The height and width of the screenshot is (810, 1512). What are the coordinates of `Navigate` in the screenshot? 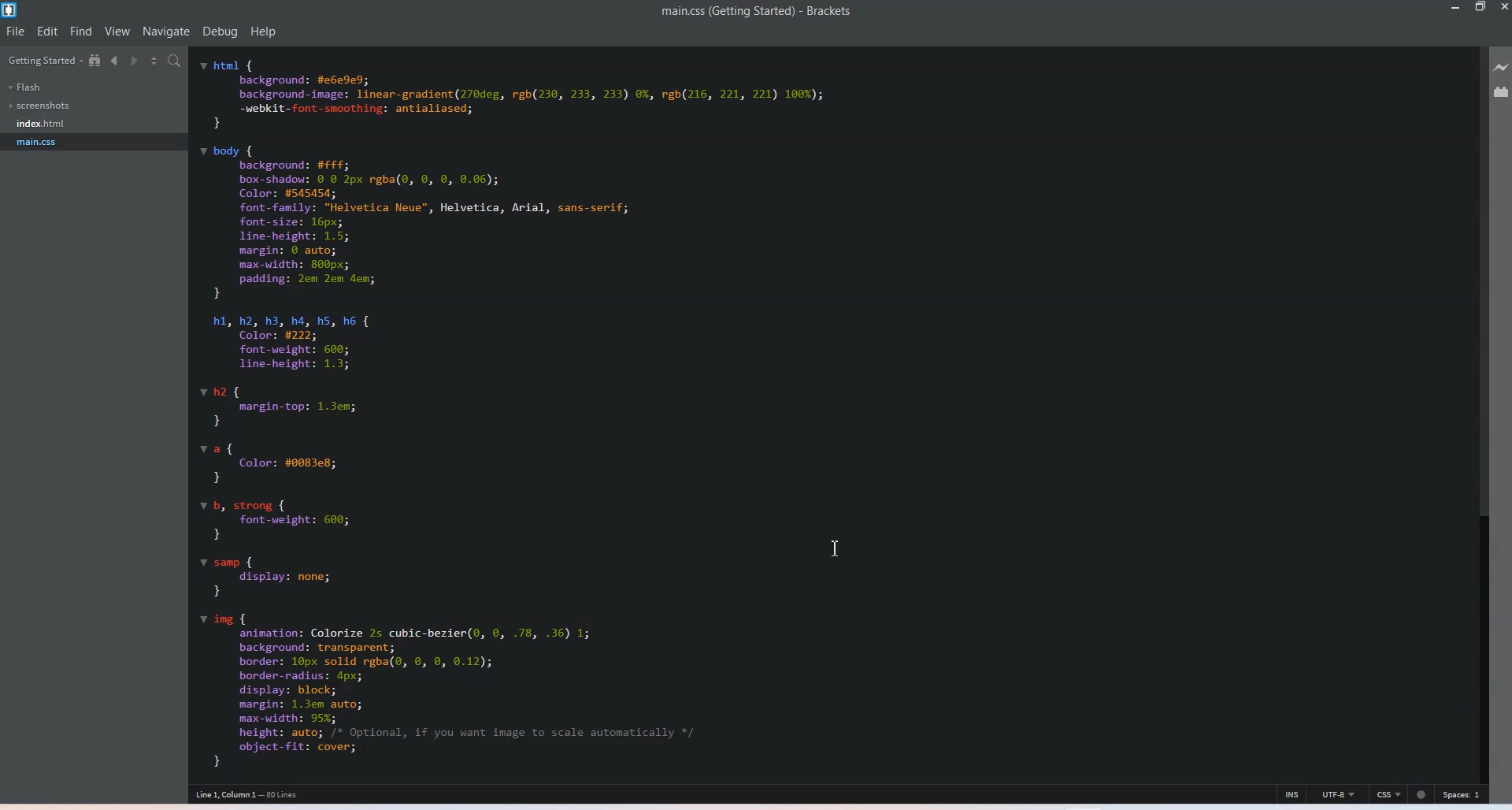 It's located at (166, 32).